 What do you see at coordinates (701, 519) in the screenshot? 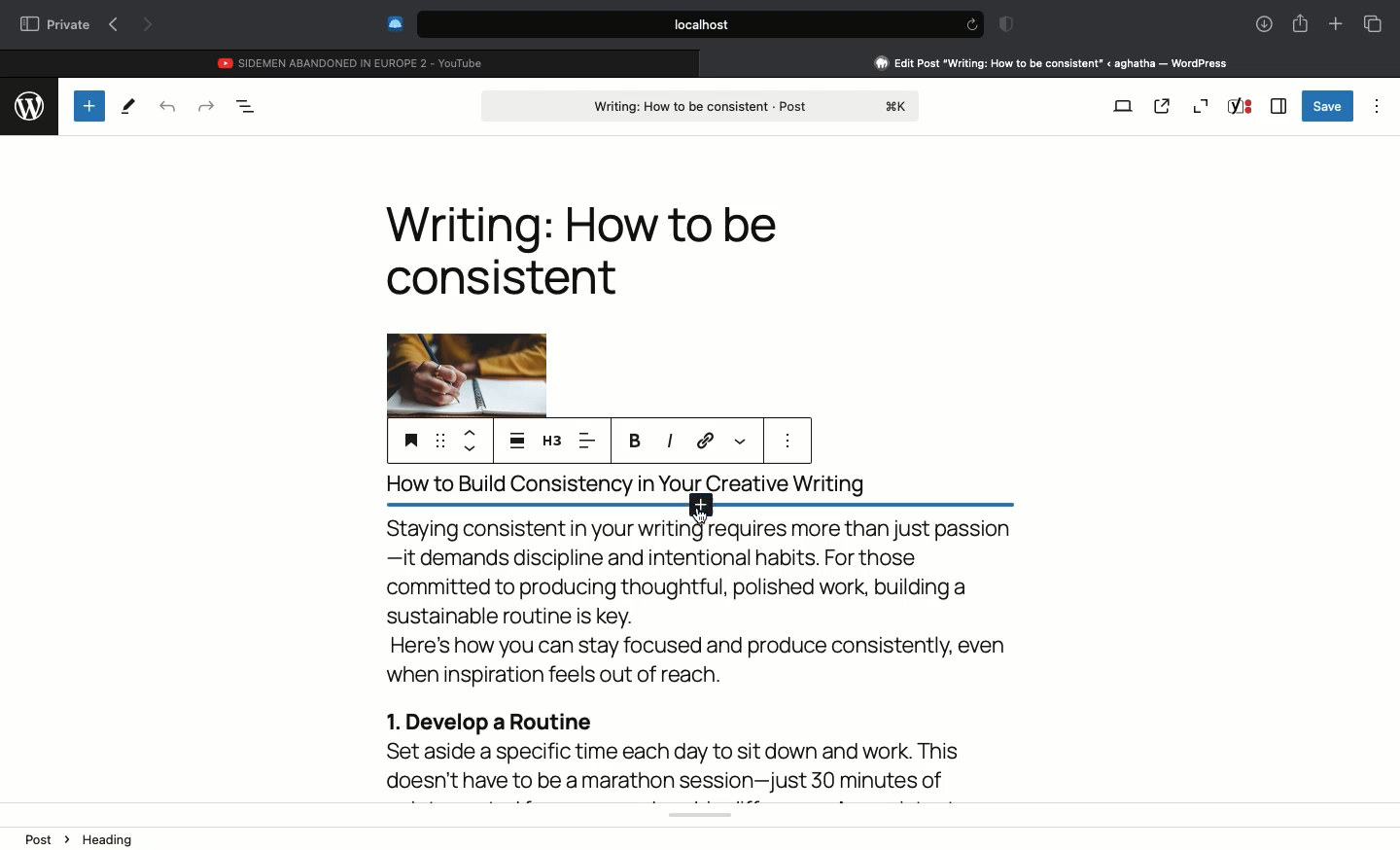
I see `cursor` at bounding box center [701, 519].